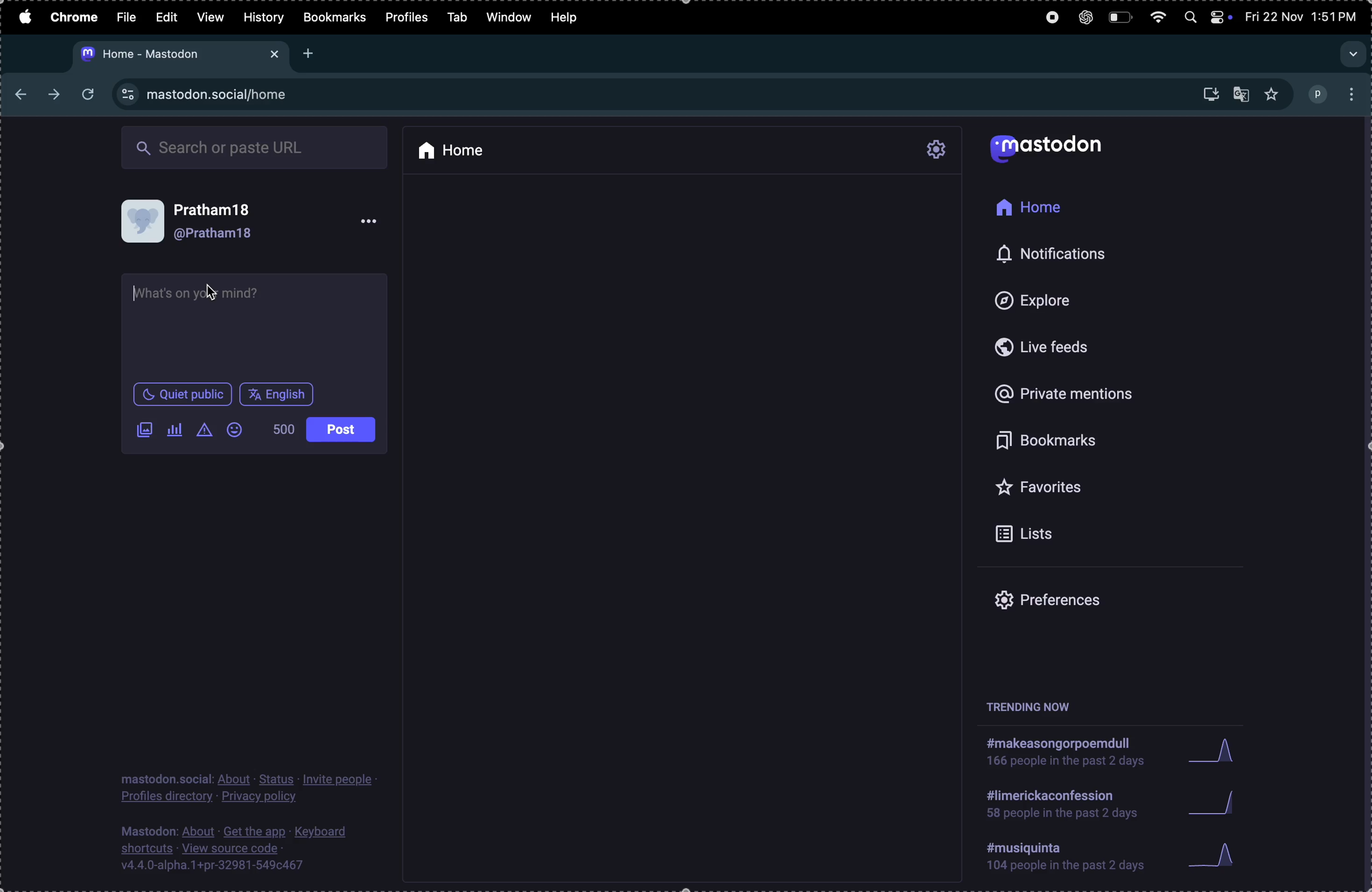 This screenshot has height=892, width=1372. Describe the element at coordinates (405, 17) in the screenshot. I see `profiles` at that location.